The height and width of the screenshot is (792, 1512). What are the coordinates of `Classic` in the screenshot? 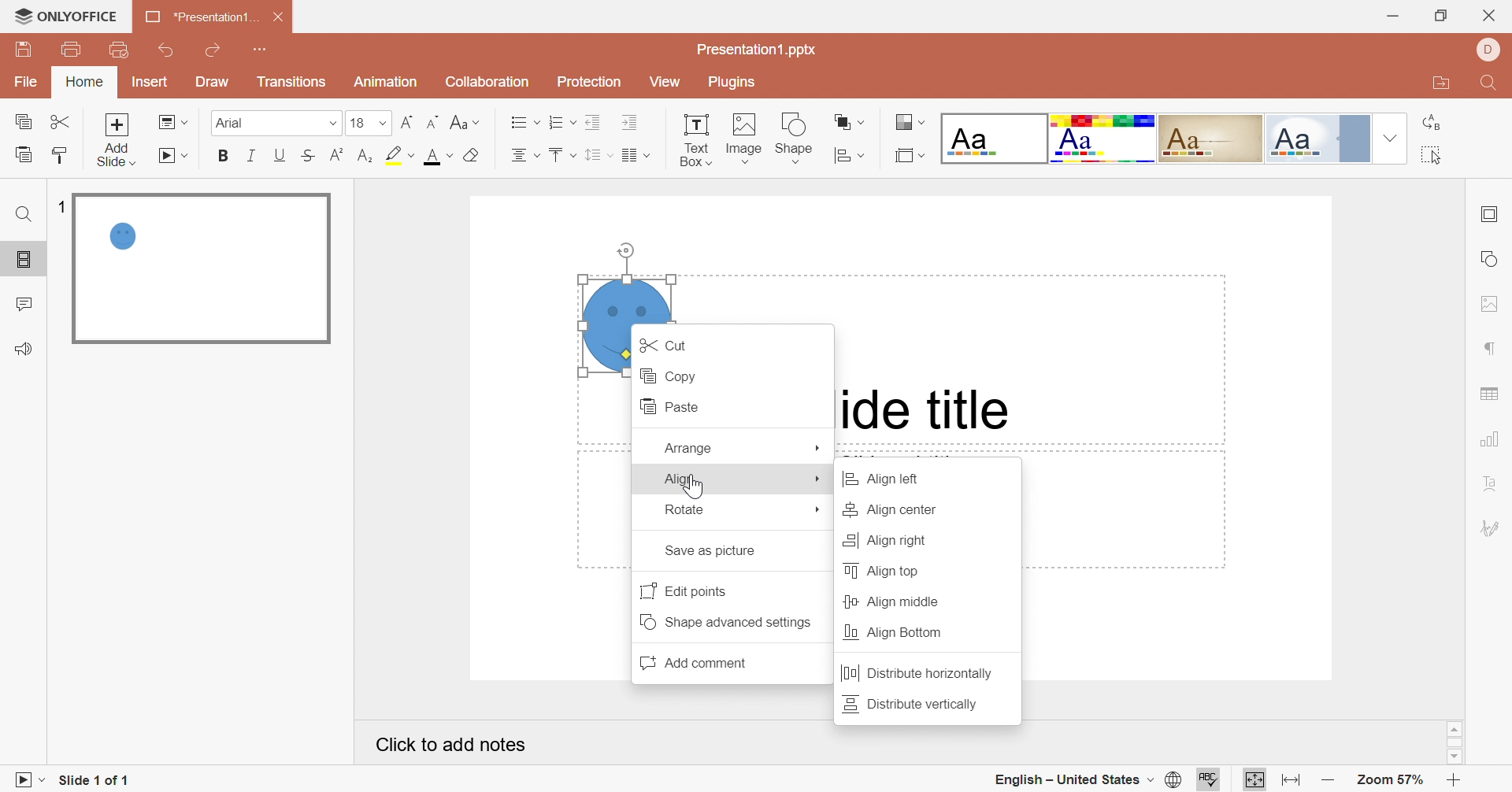 It's located at (1212, 136).